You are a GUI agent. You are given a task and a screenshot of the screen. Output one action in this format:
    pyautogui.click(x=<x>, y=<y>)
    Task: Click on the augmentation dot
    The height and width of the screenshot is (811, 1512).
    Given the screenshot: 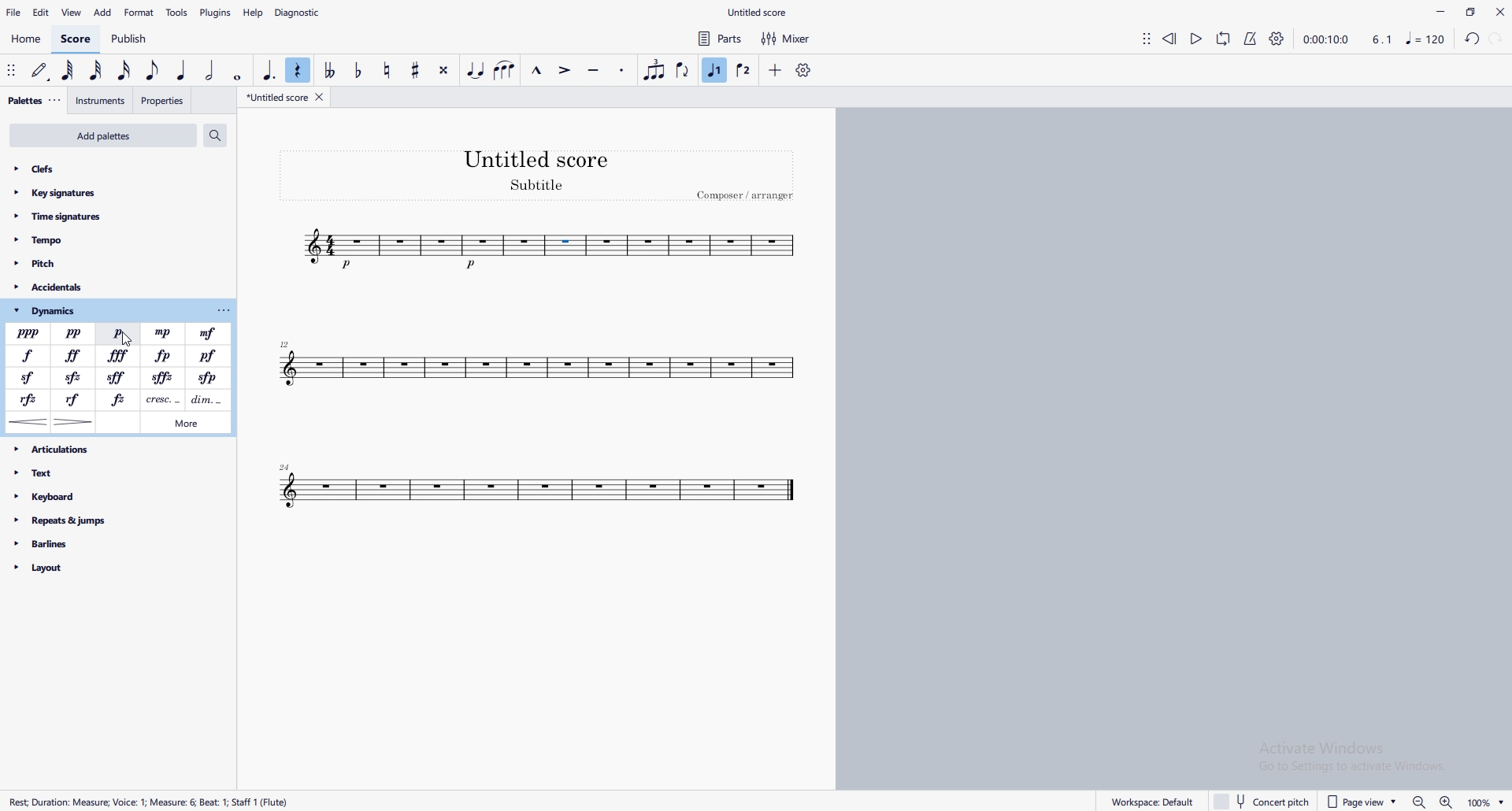 What is the action you would take?
    pyautogui.click(x=269, y=71)
    